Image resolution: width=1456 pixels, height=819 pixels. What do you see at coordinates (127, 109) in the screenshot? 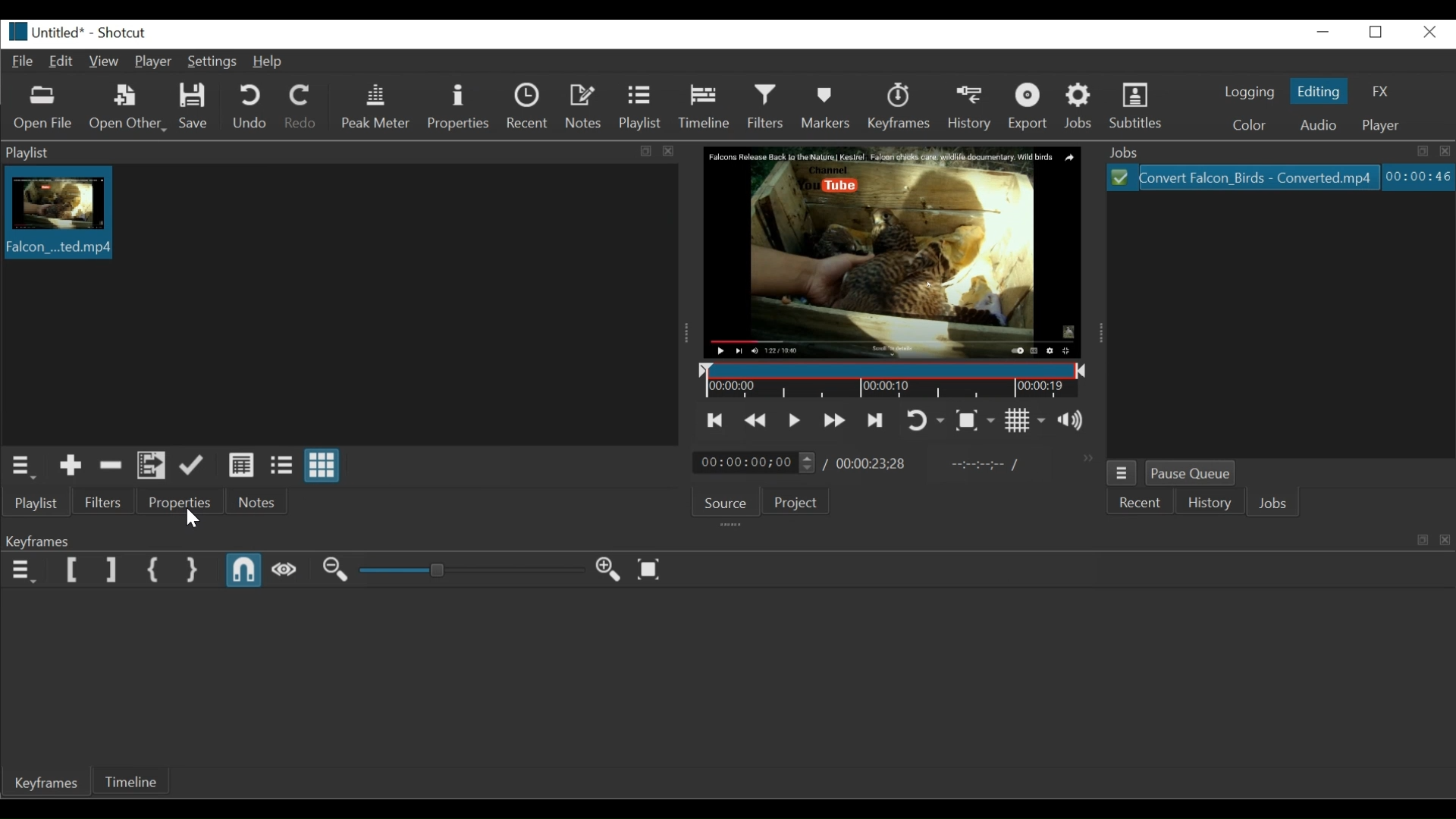
I see `Open Other` at bounding box center [127, 109].